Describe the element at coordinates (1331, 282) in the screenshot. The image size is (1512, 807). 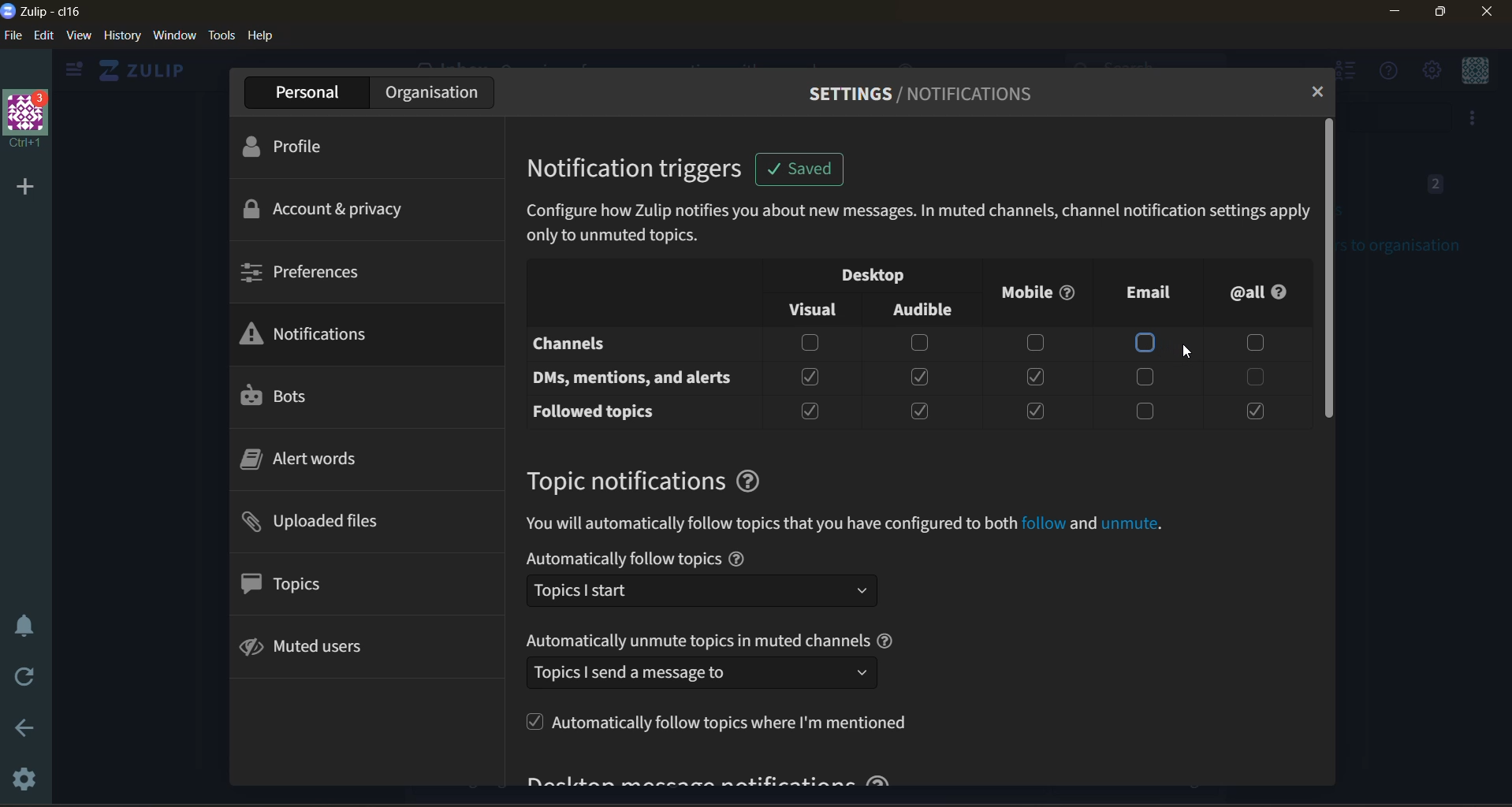
I see `vertical scroll bar` at that location.